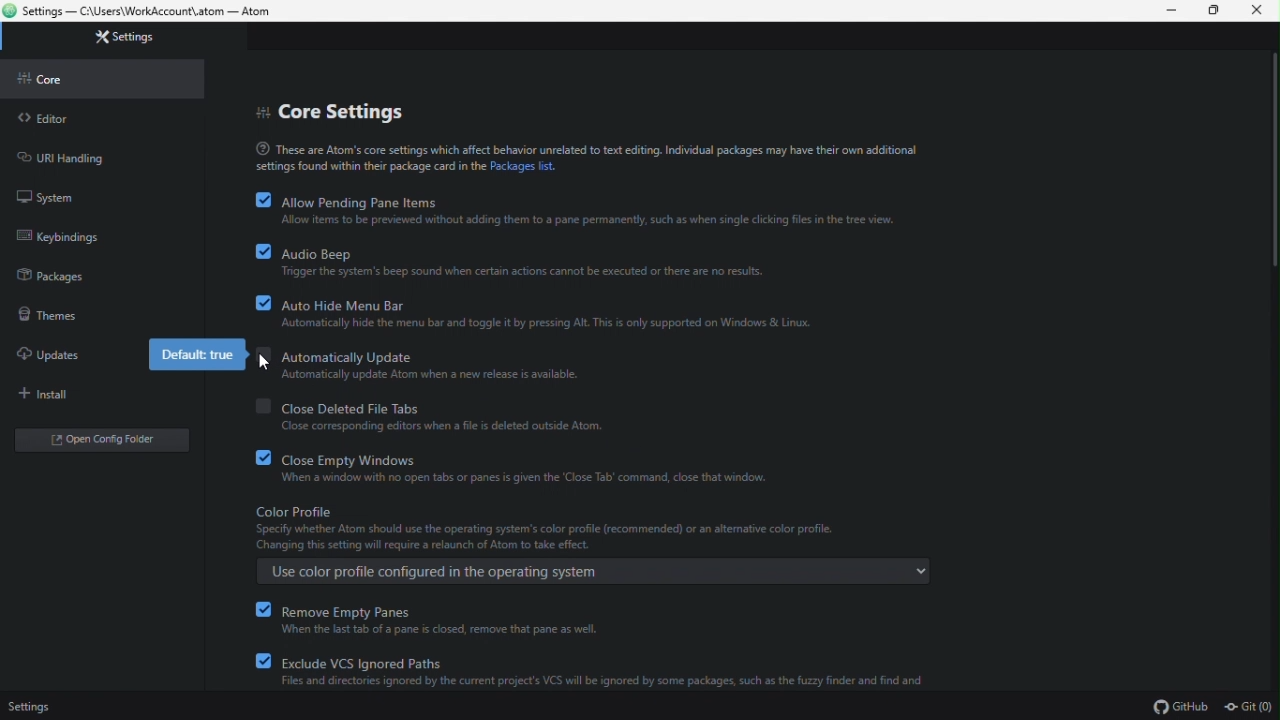  What do you see at coordinates (588, 158) in the screenshot?
I see `text` at bounding box center [588, 158].